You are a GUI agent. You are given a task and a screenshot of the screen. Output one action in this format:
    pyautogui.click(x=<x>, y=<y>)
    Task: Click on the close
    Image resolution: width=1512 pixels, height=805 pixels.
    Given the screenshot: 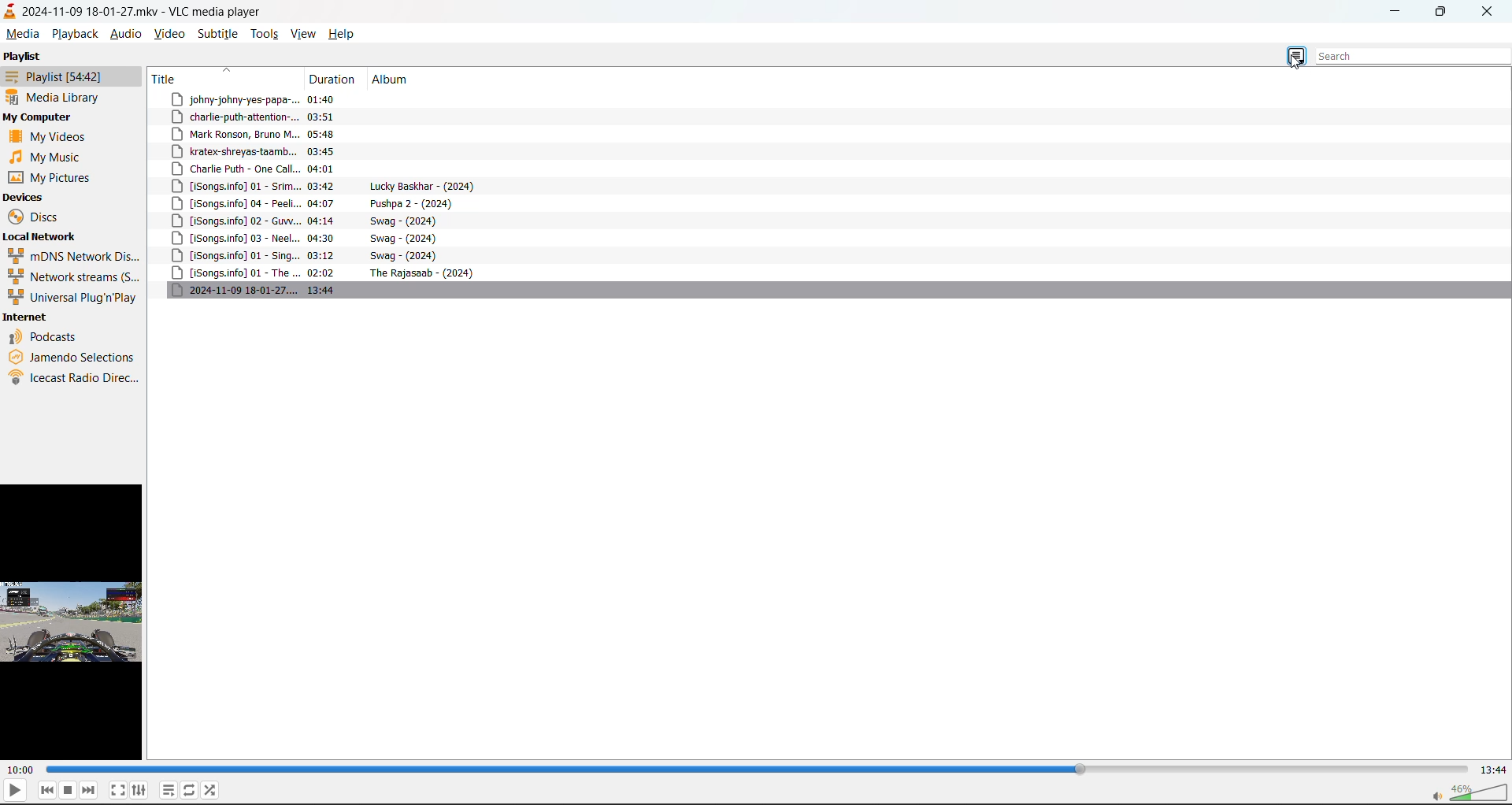 What is the action you would take?
    pyautogui.click(x=1489, y=12)
    